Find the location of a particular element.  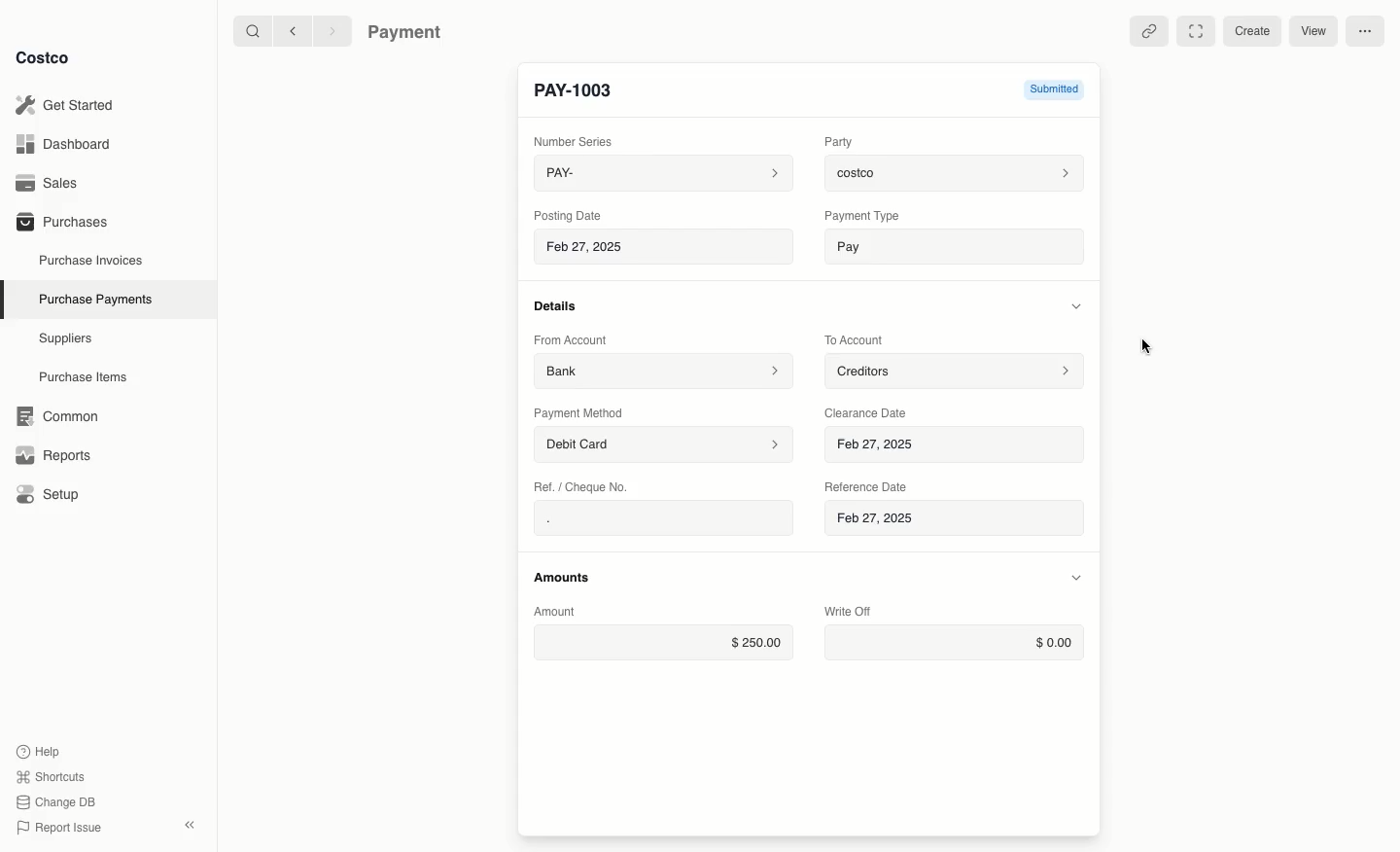

Number Series is located at coordinates (577, 141).